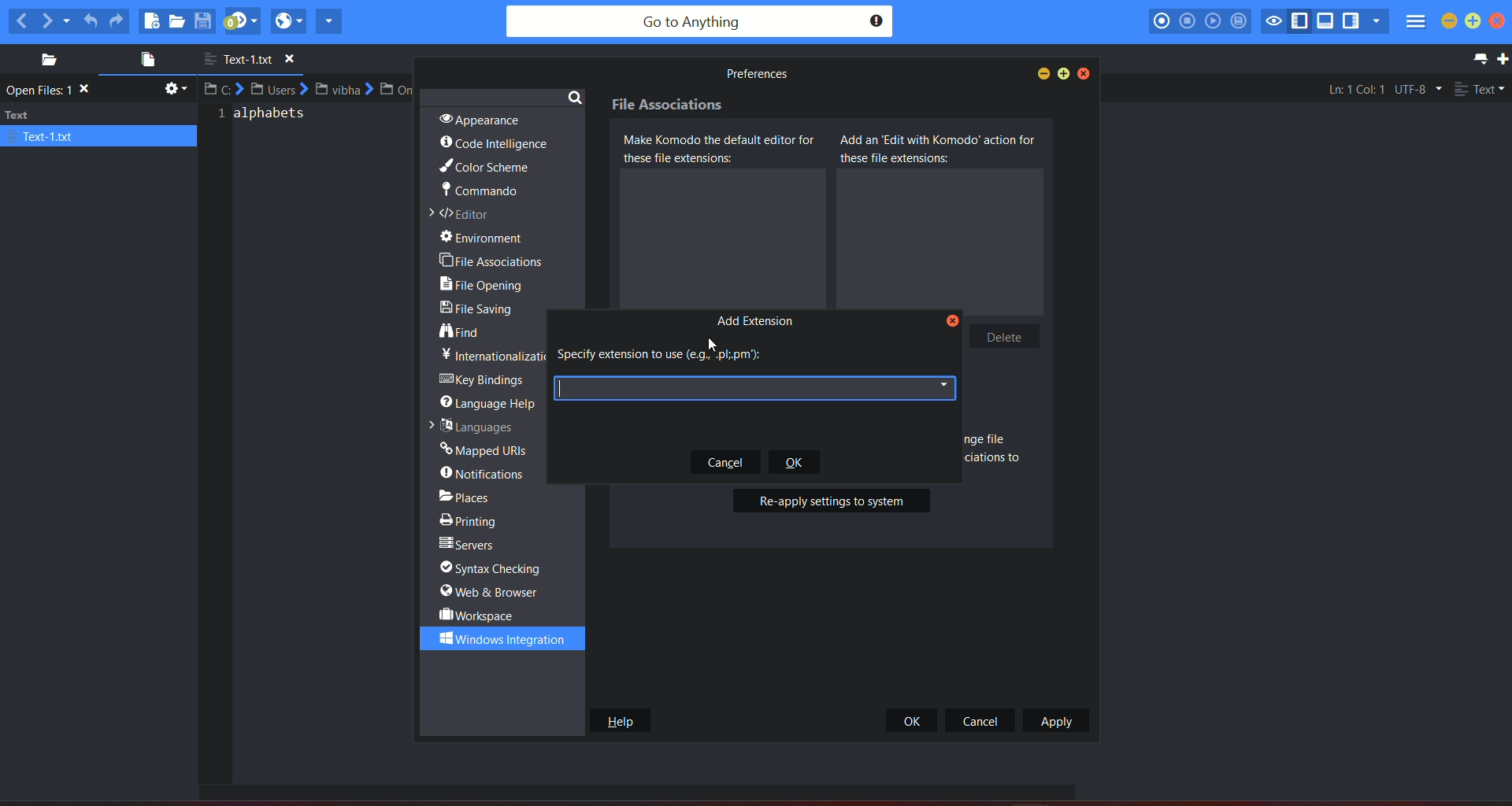 This screenshot has height=806, width=1512. Describe the element at coordinates (1040, 73) in the screenshot. I see `minimize` at that location.